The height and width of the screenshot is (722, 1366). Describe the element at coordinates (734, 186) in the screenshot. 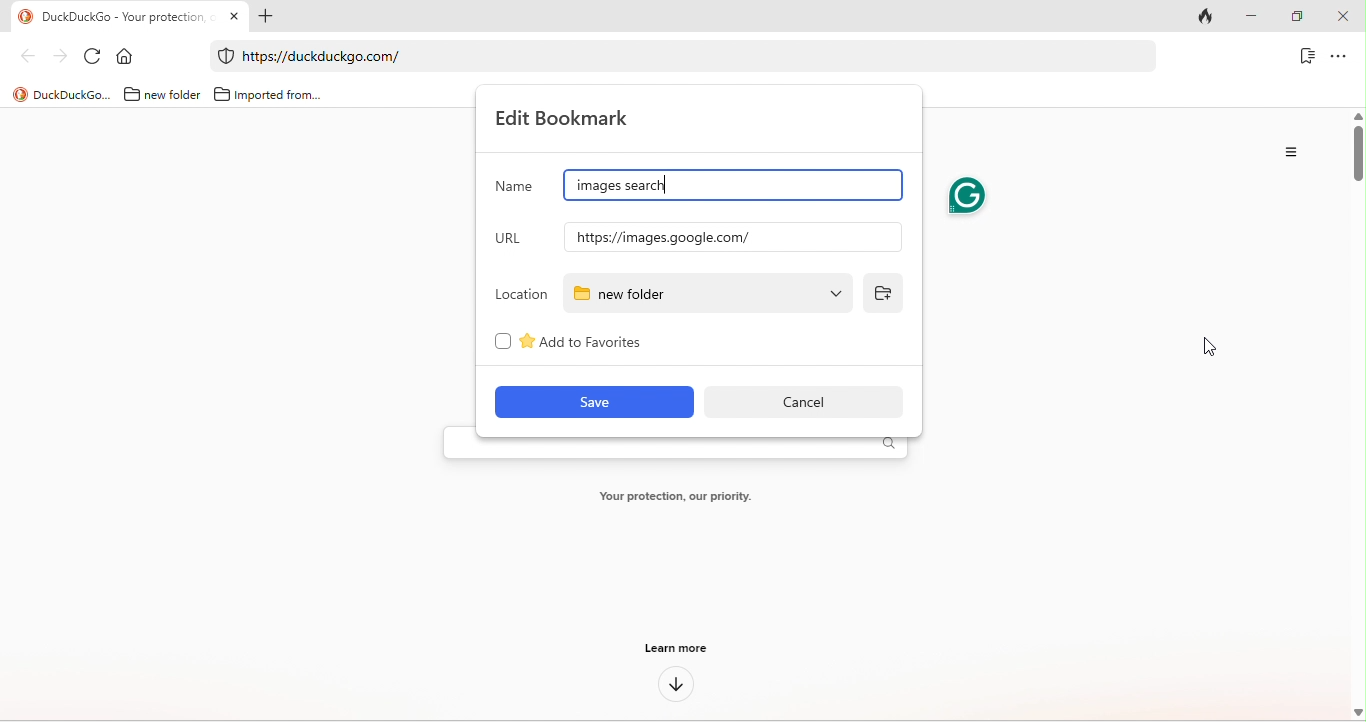

I see `google images` at that location.